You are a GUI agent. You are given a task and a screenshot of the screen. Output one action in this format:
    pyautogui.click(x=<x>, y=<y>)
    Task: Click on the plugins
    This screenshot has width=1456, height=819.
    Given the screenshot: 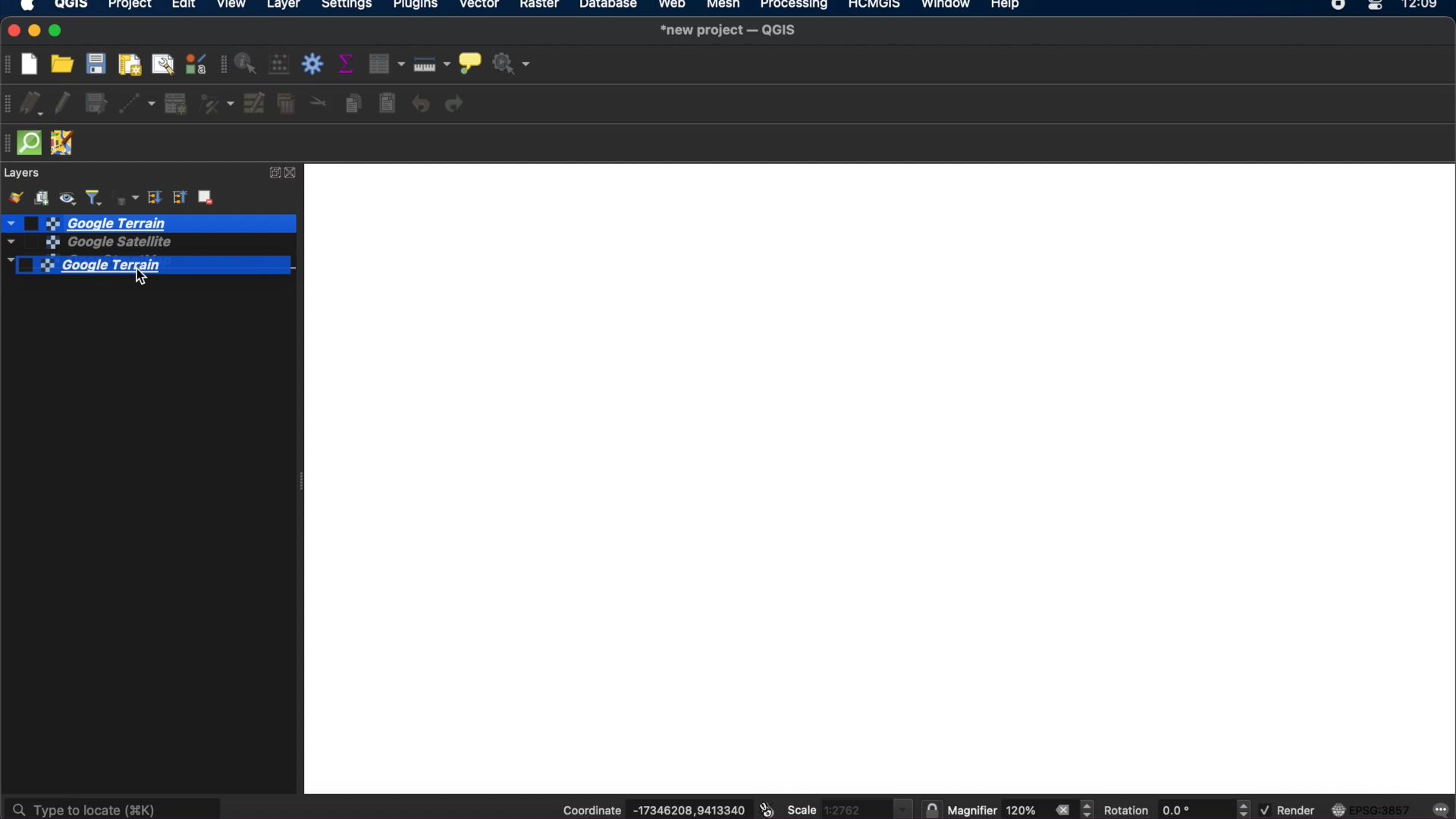 What is the action you would take?
    pyautogui.click(x=416, y=6)
    